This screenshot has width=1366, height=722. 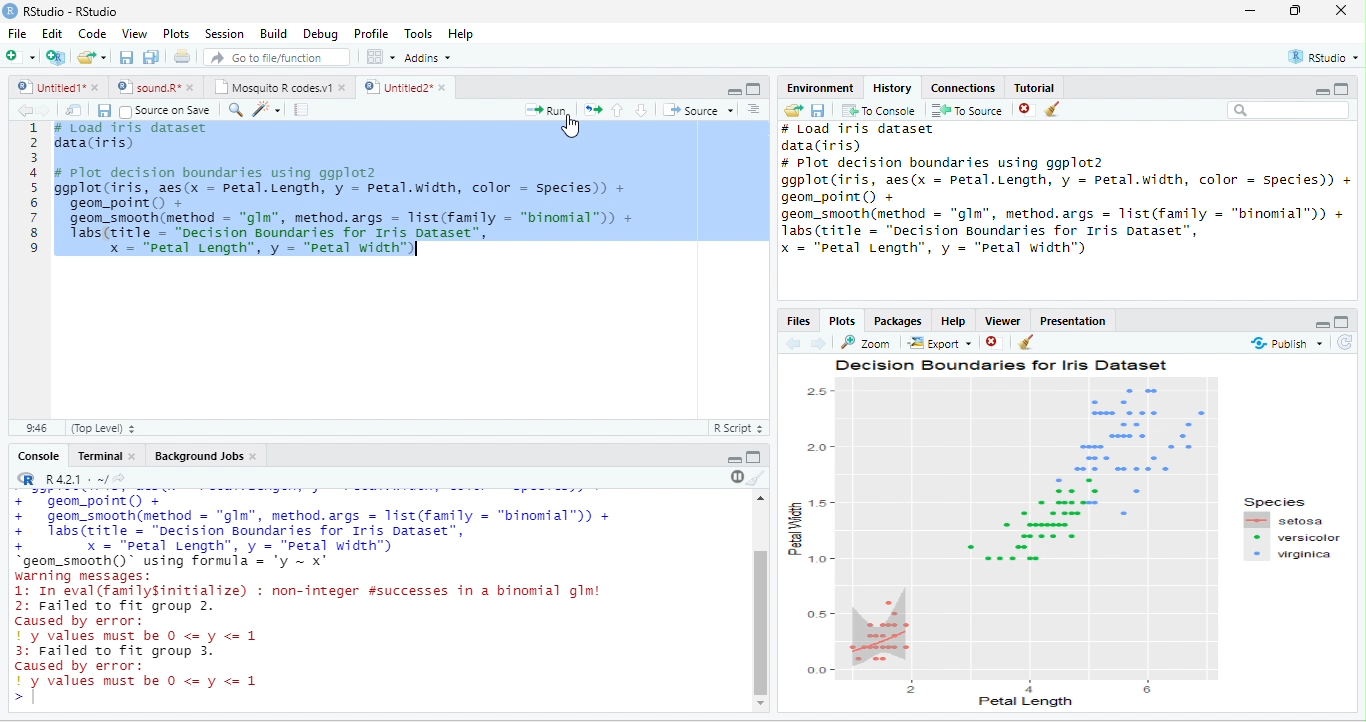 What do you see at coordinates (420, 34) in the screenshot?
I see `Tools` at bounding box center [420, 34].